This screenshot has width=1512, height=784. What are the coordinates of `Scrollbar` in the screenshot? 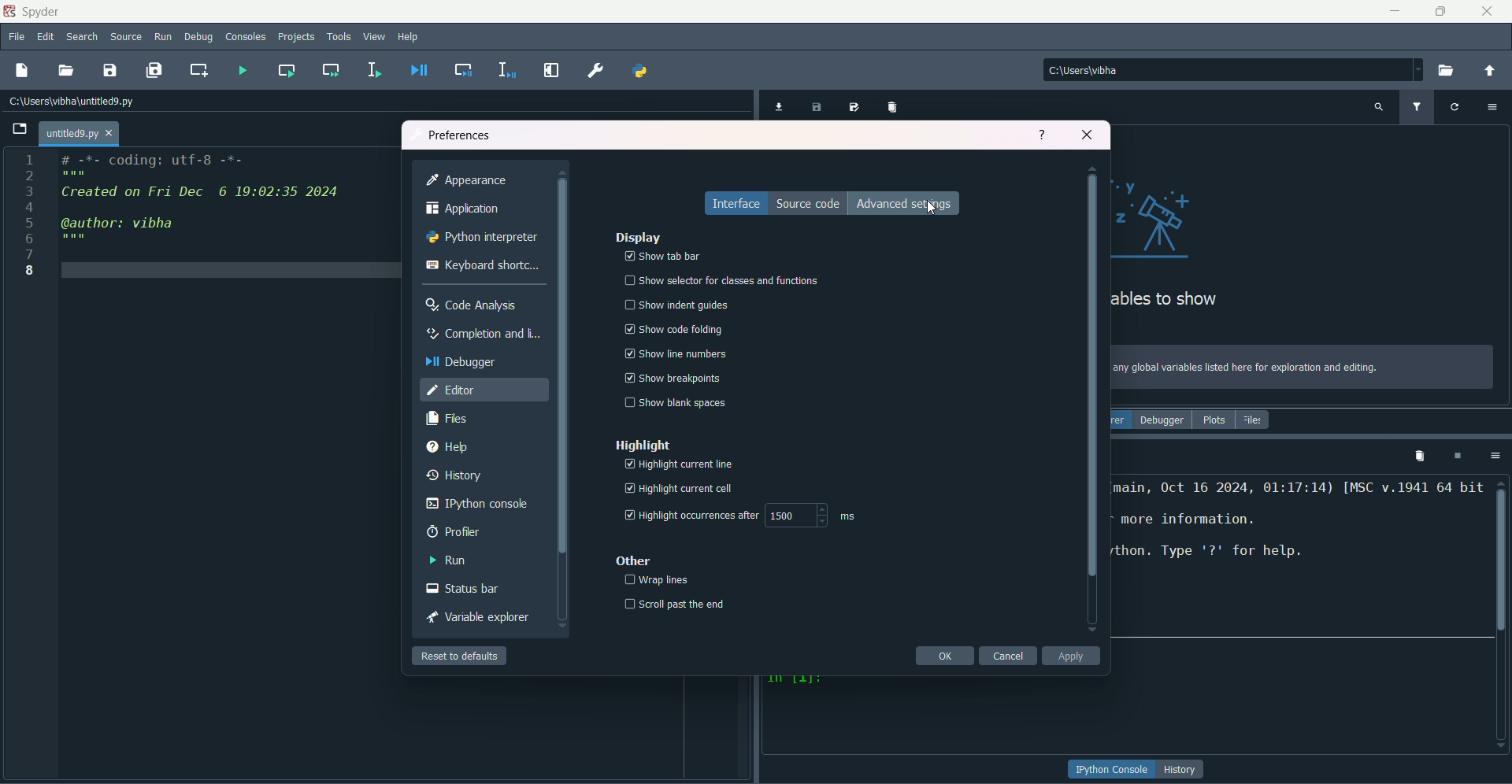 It's located at (563, 366).